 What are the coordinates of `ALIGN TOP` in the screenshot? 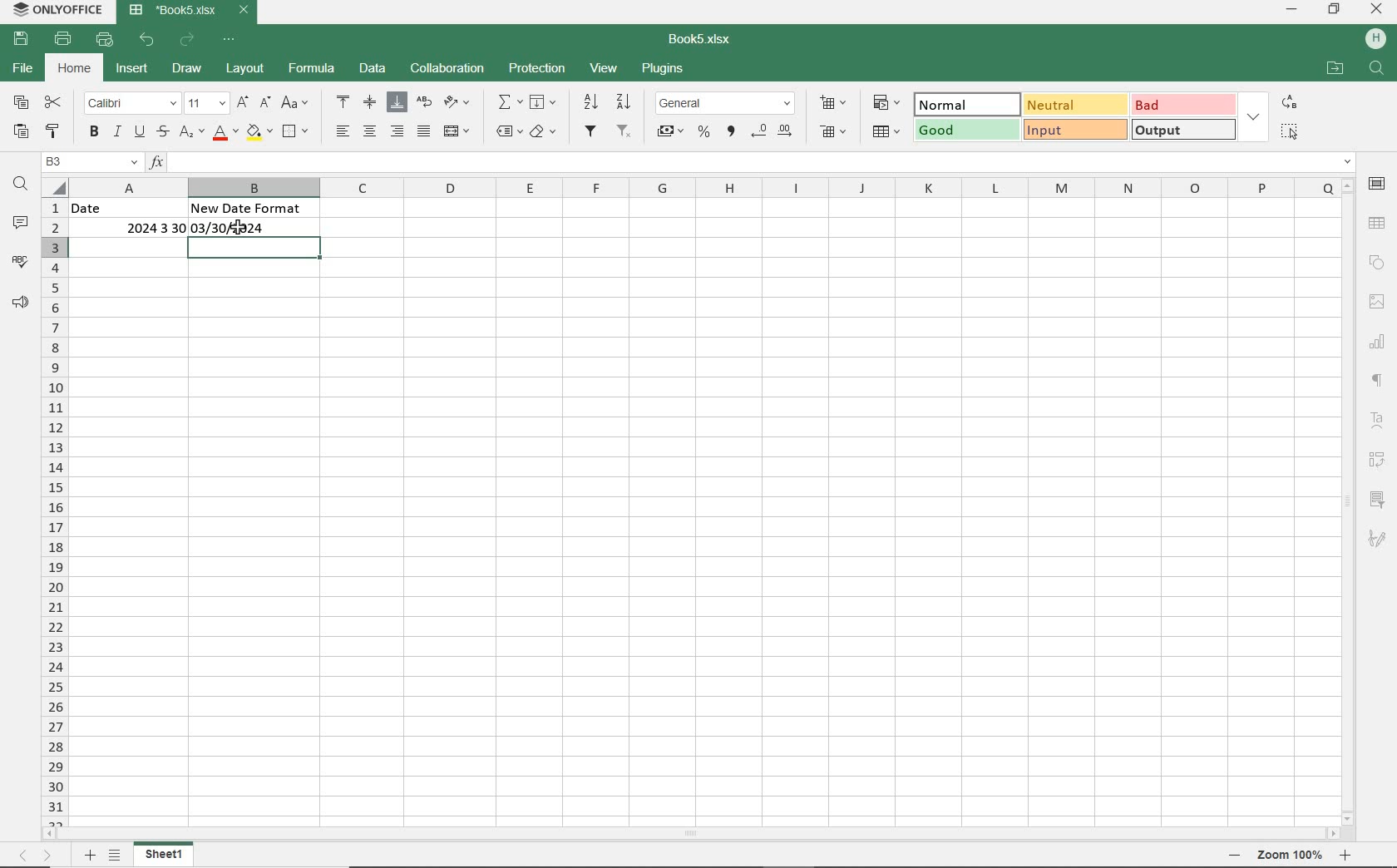 It's located at (343, 104).